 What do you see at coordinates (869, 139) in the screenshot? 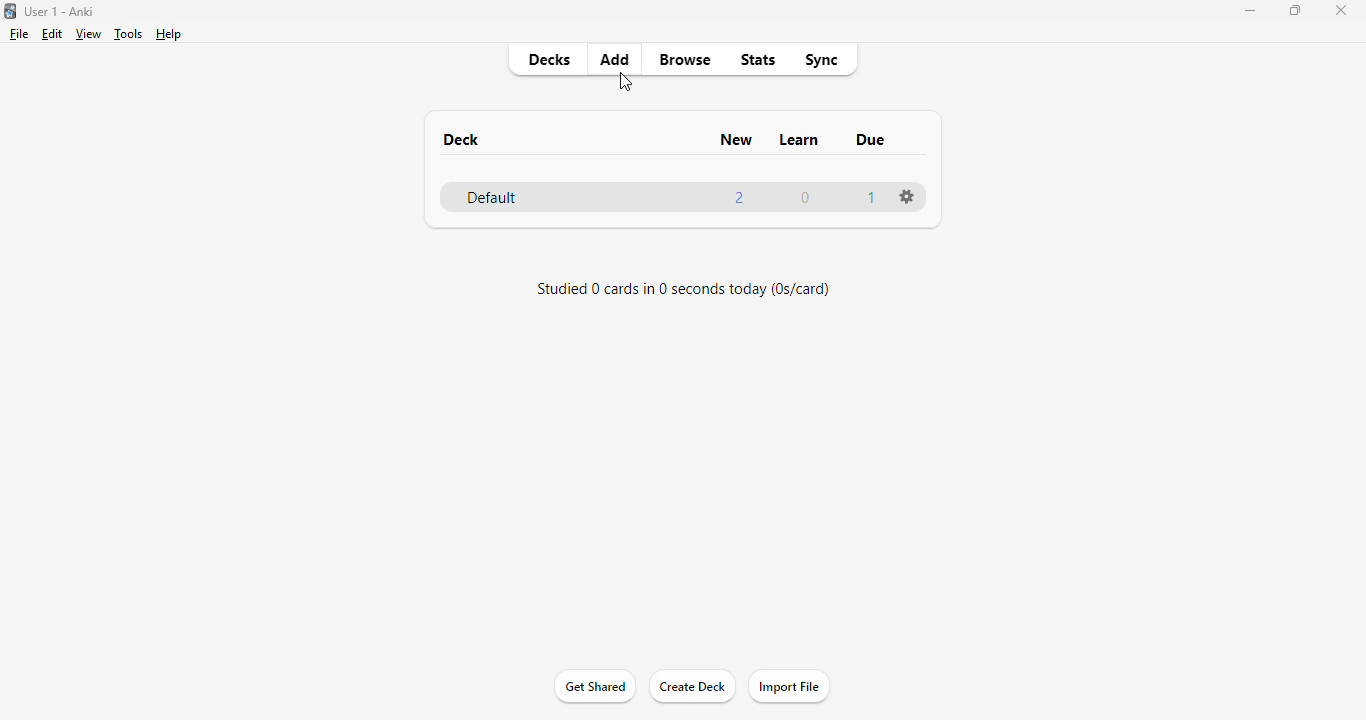
I see `due` at bounding box center [869, 139].